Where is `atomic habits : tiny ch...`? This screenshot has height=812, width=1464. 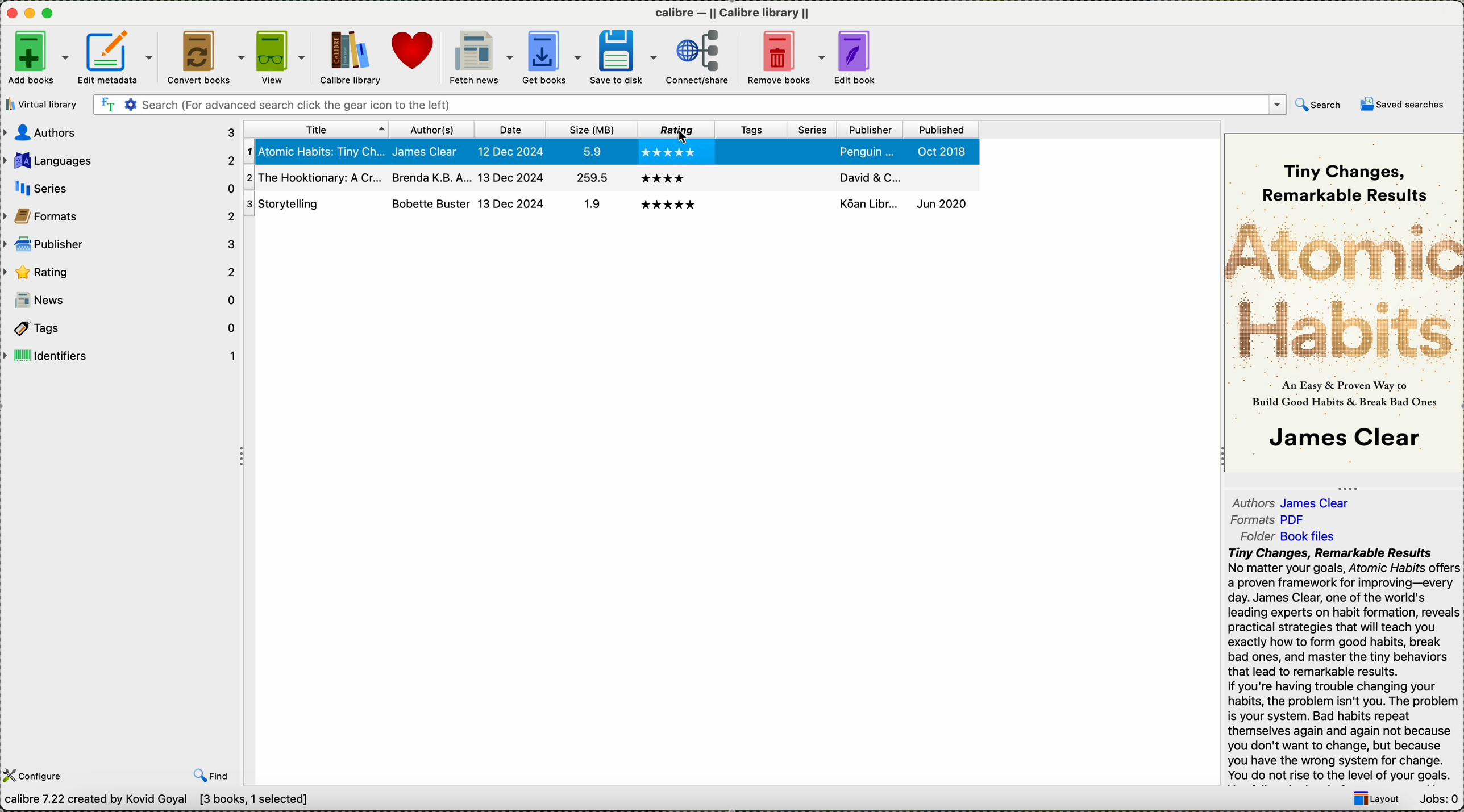
atomic habits : tiny ch... is located at coordinates (315, 152).